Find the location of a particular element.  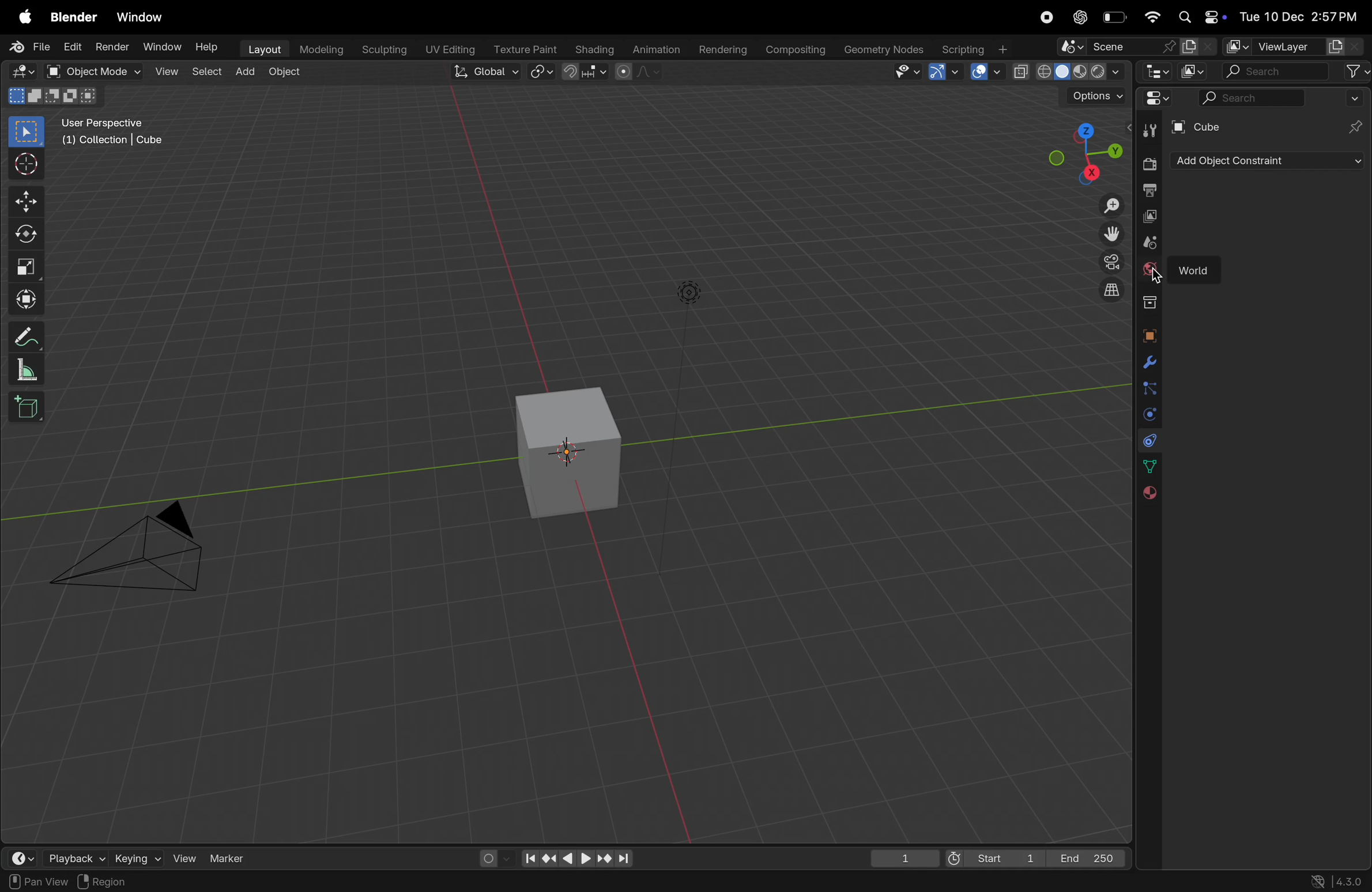

 is located at coordinates (74, 858).